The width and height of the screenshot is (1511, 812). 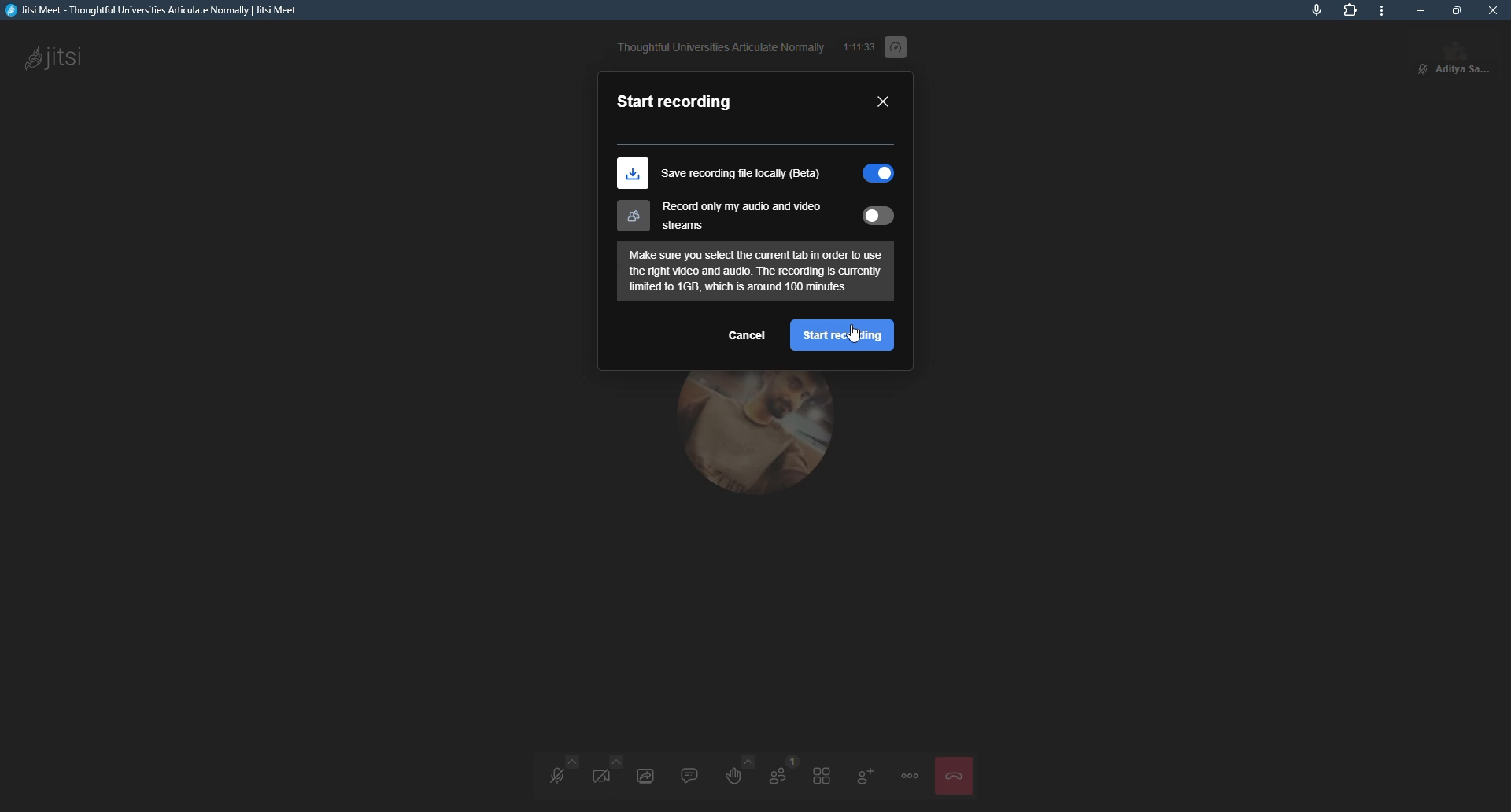 What do you see at coordinates (778, 775) in the screenshot?
I see `participants` at bounding box center [778, 775].